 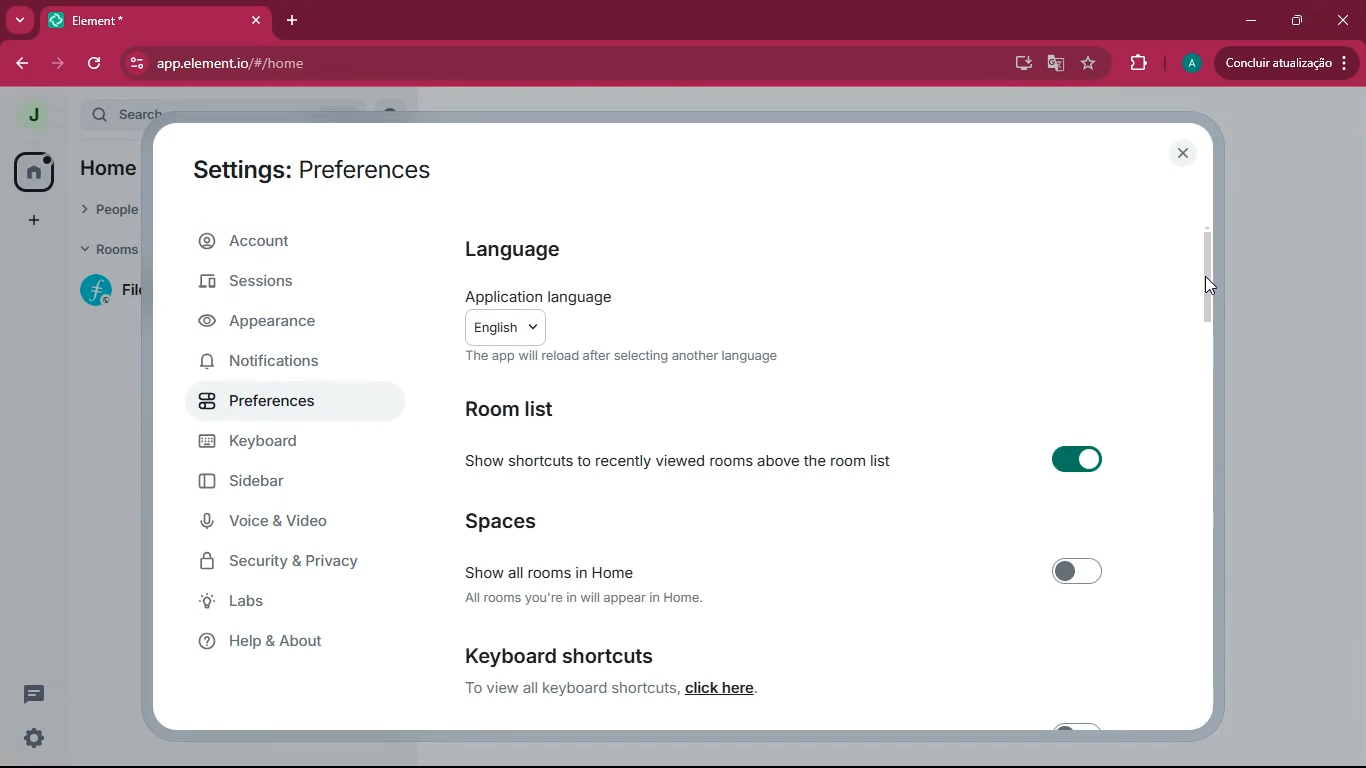 What do you see at coordinates (270, 322) in the screenshot?
I see `appearance` at bounding box center [270, 322].